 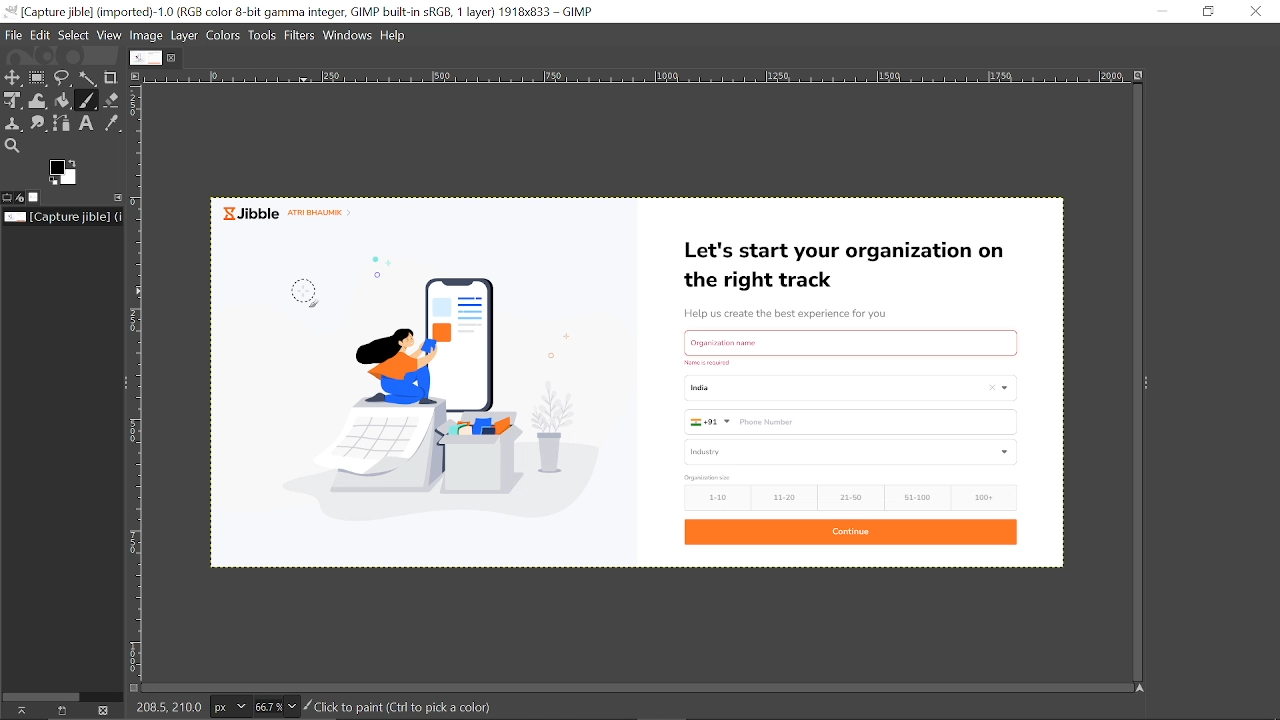 I want to click on Help, so click(x=395, y=36).